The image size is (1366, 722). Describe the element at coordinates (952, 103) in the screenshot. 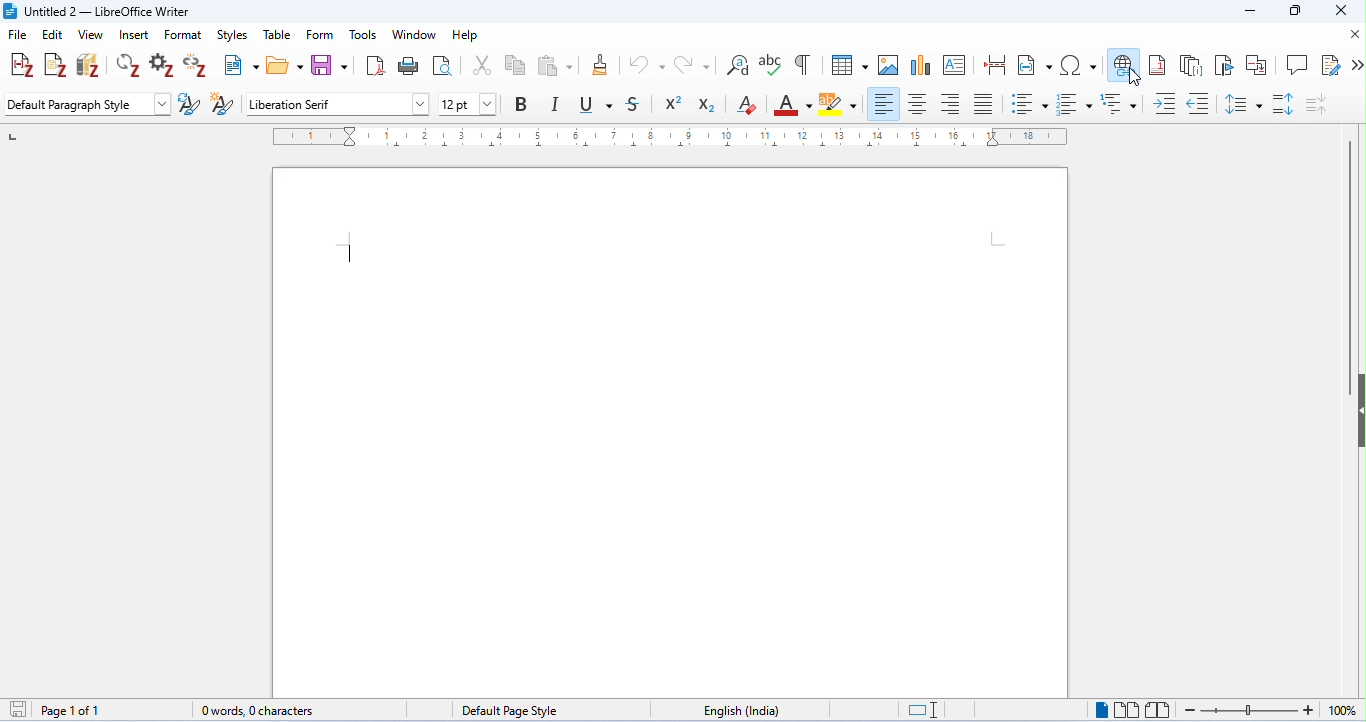

I see `align right` at that location.